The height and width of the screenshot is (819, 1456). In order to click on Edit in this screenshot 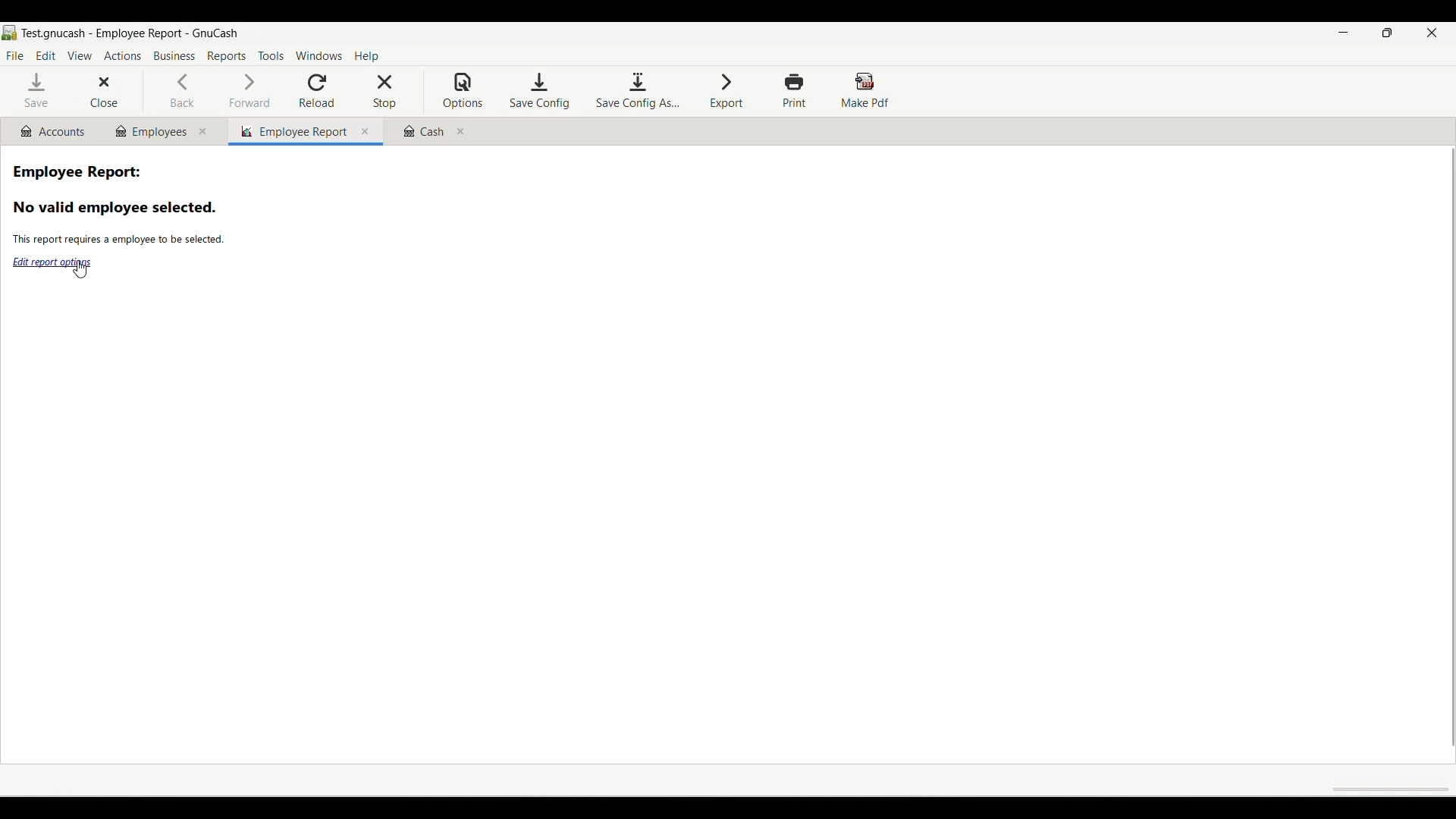, I will do `click(46, 55)`.